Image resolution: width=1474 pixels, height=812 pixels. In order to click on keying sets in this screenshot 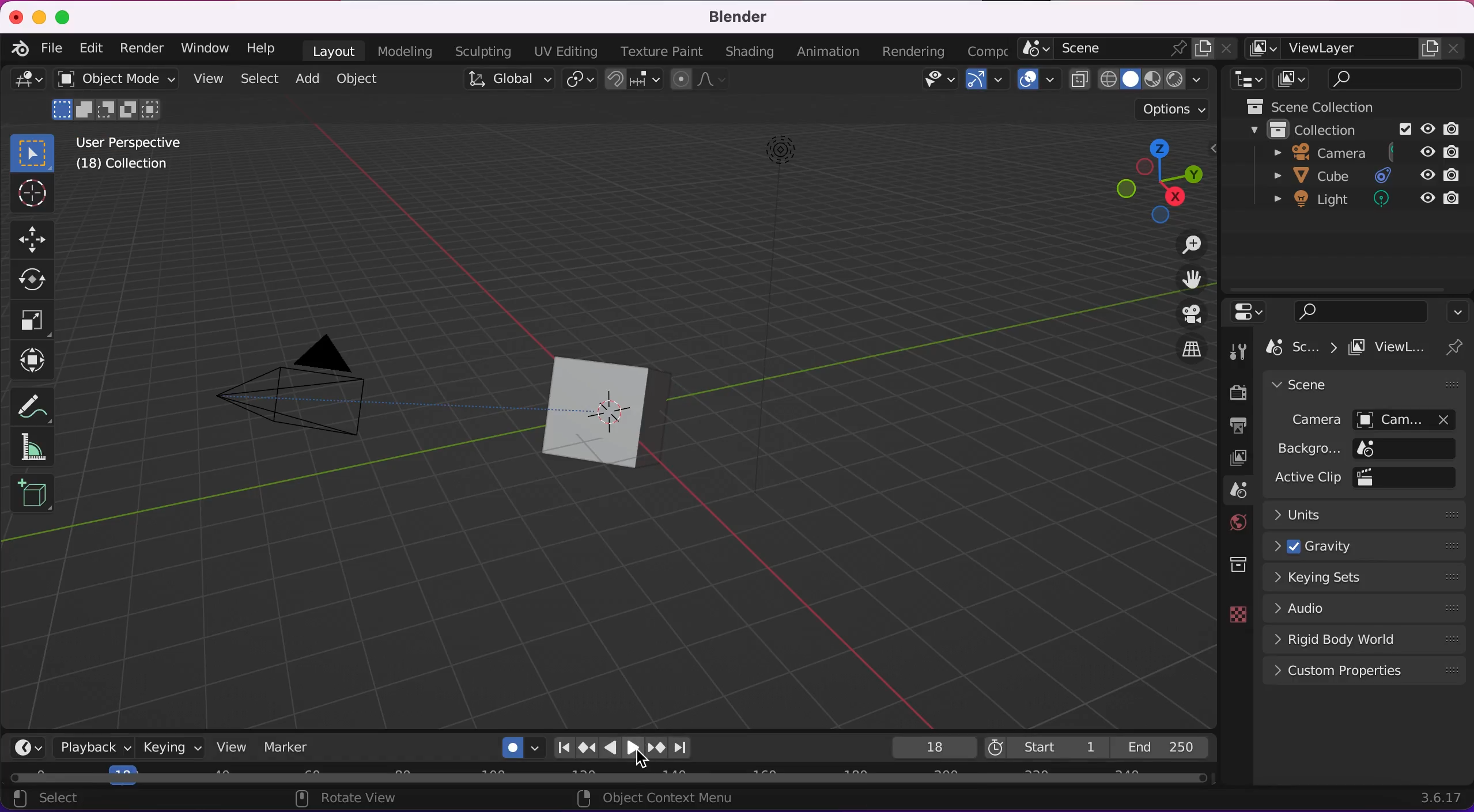, I will do `click(1367, 575)`.